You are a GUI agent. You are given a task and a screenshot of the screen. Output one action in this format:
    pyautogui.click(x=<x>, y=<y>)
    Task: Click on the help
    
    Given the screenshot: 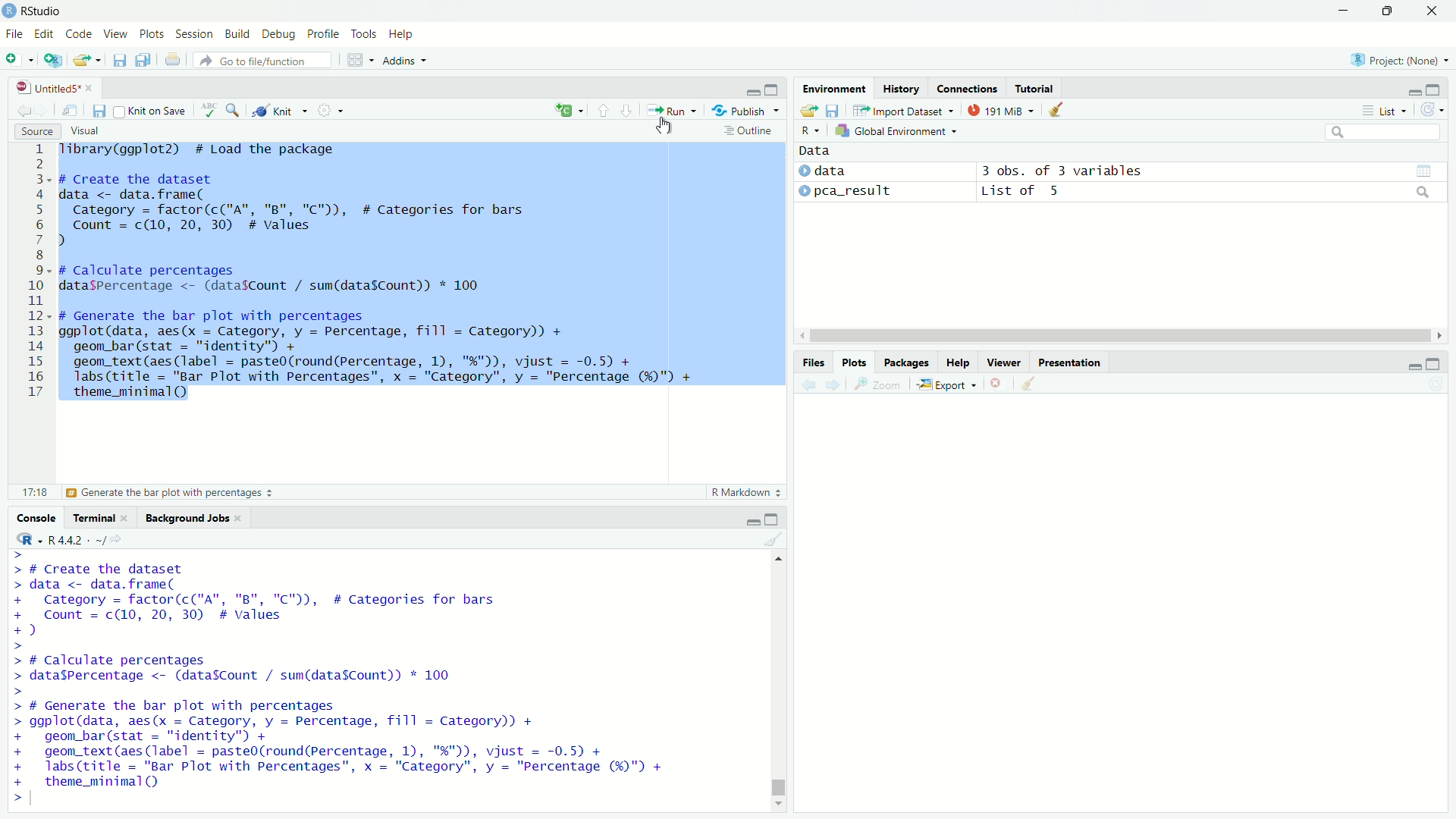 What is the action you would take?
    pyautogui.click(x=958, y=362)
    